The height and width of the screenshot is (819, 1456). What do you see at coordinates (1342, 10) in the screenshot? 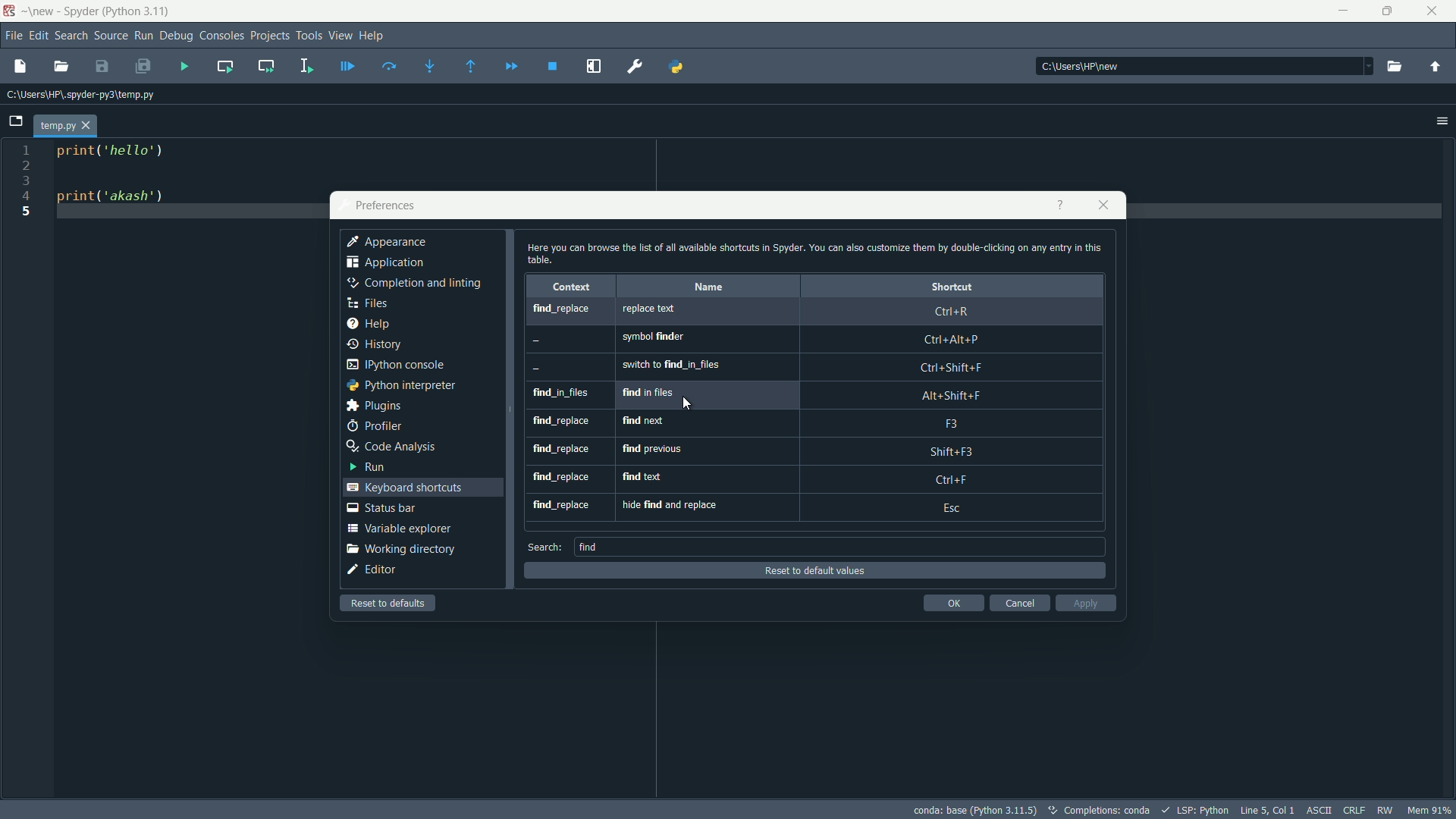
I see `minimize` at bounding box center [1342, 10].